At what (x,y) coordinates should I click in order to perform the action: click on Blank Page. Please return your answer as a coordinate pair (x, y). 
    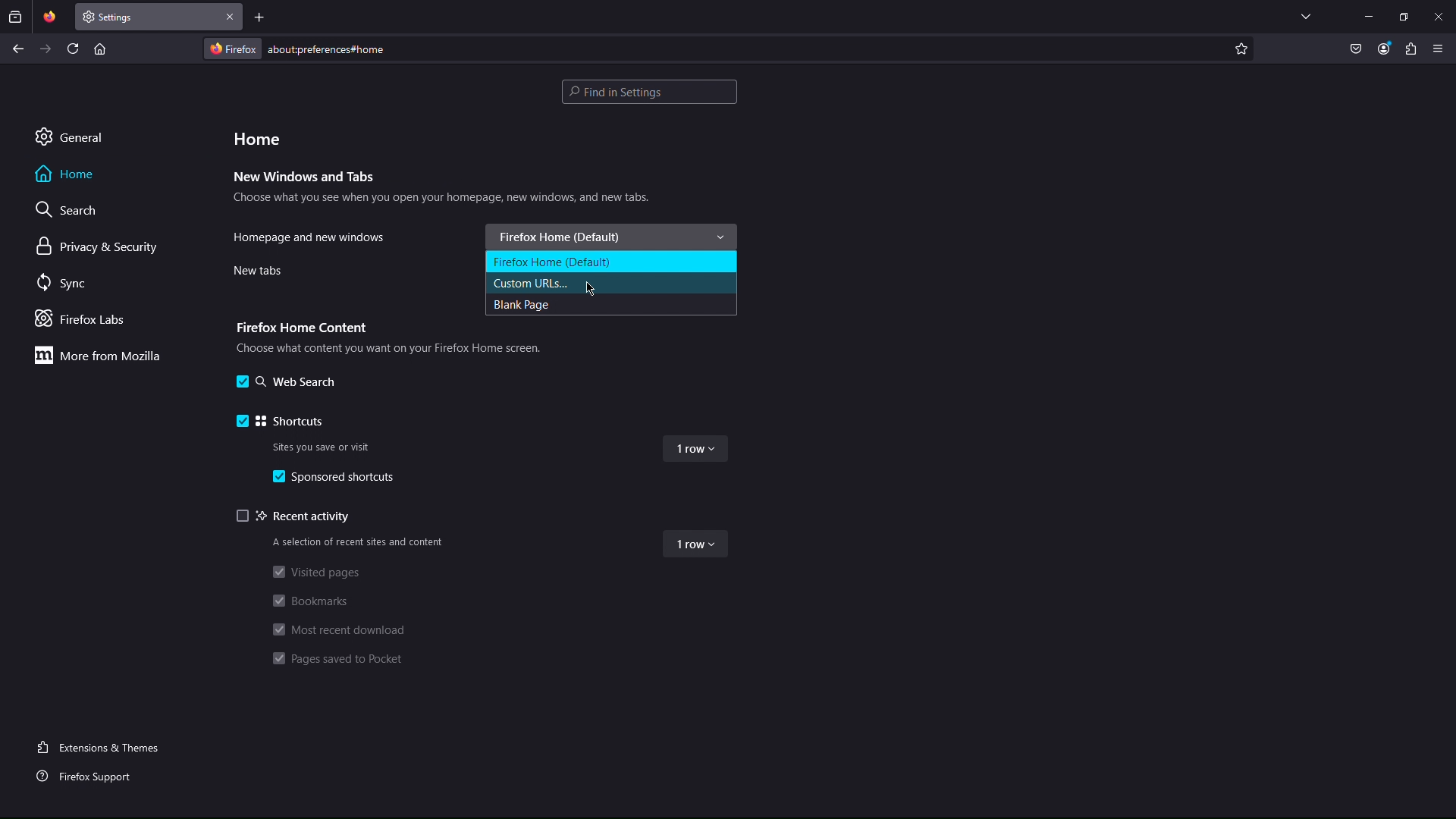
    Looking at the image, I should click on (610, 305).